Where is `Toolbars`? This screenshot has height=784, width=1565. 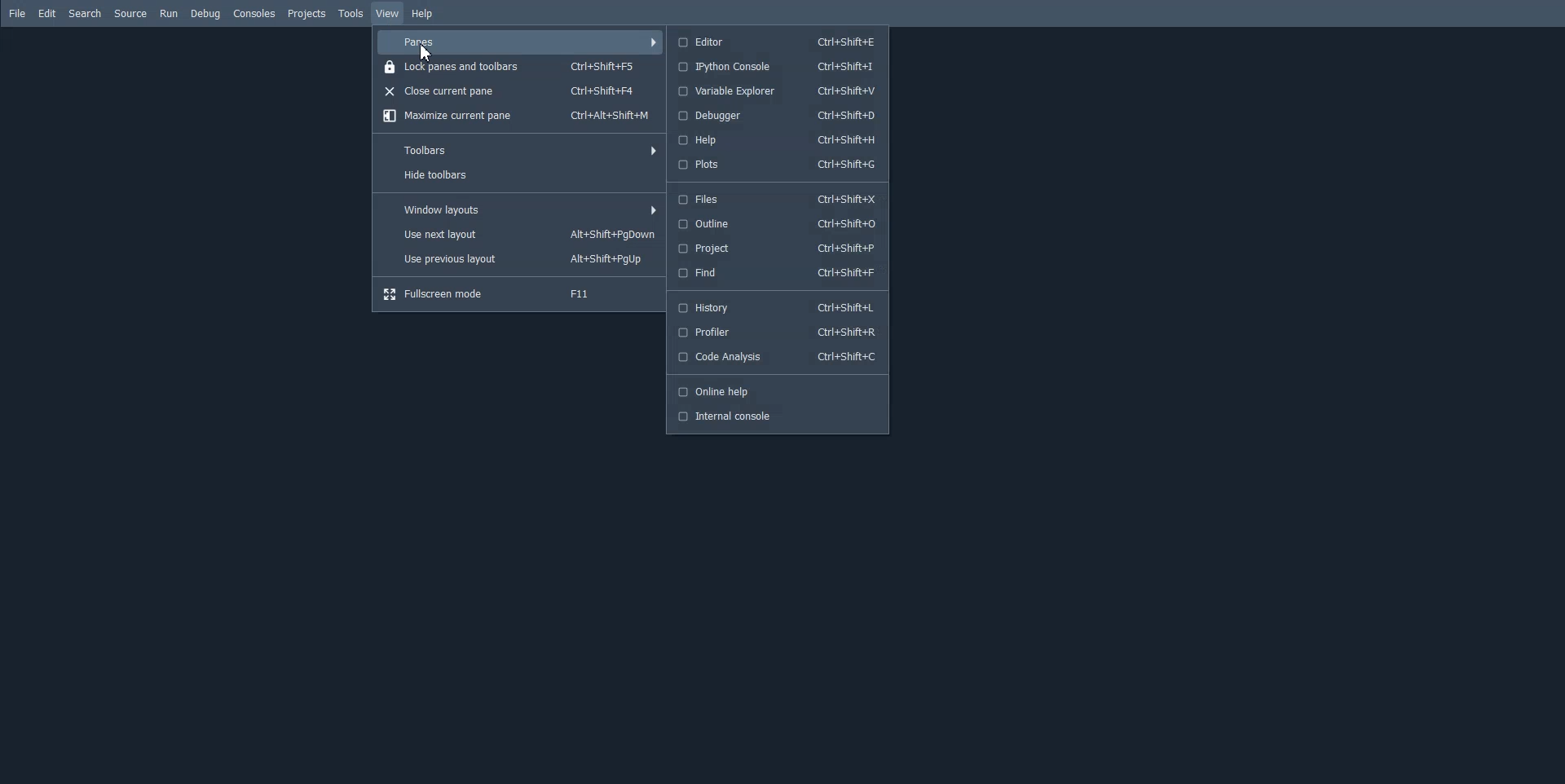 Toolbars is located at coordinates (518, 149).